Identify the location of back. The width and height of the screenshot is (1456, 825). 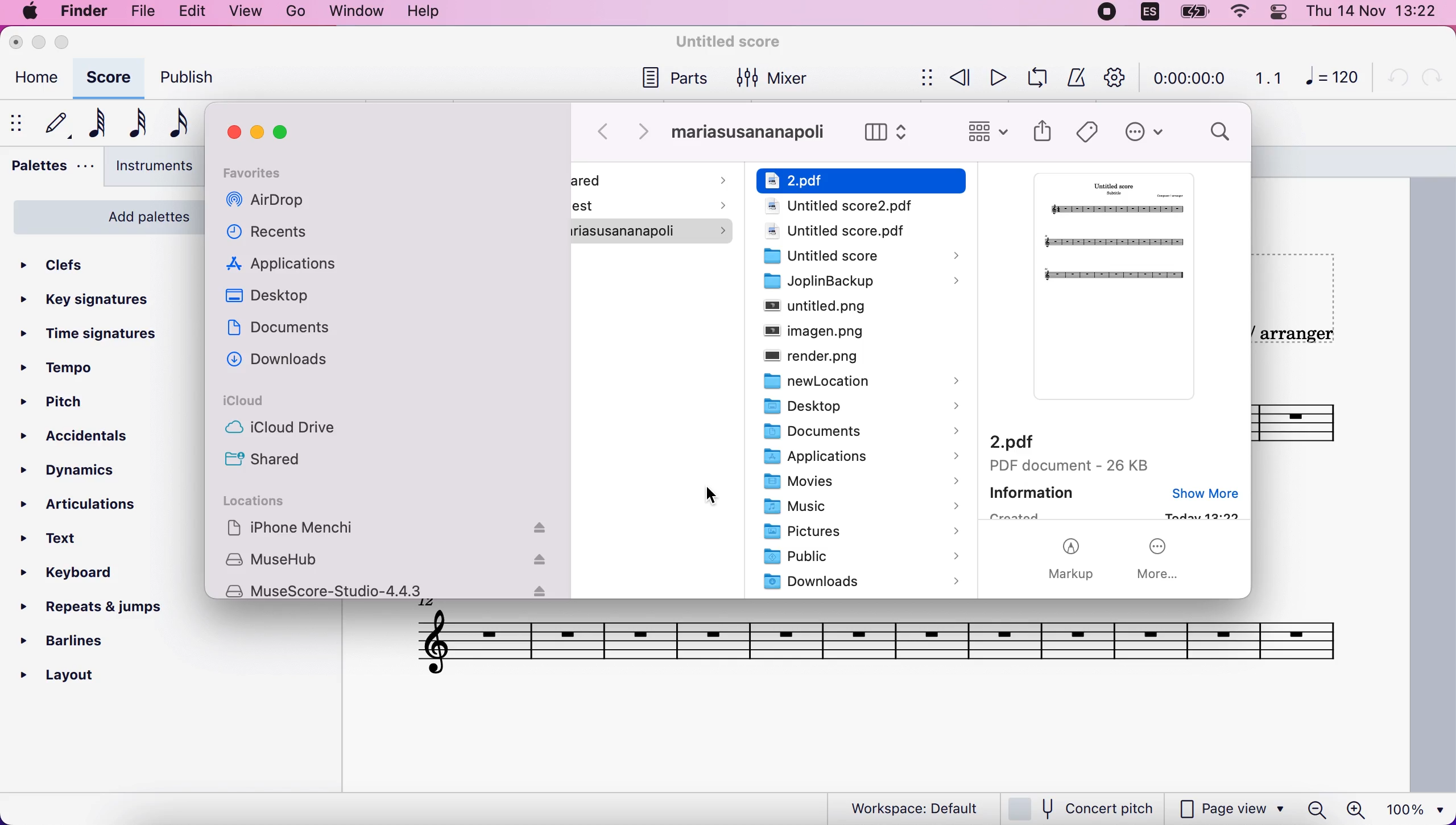
(606, 131).